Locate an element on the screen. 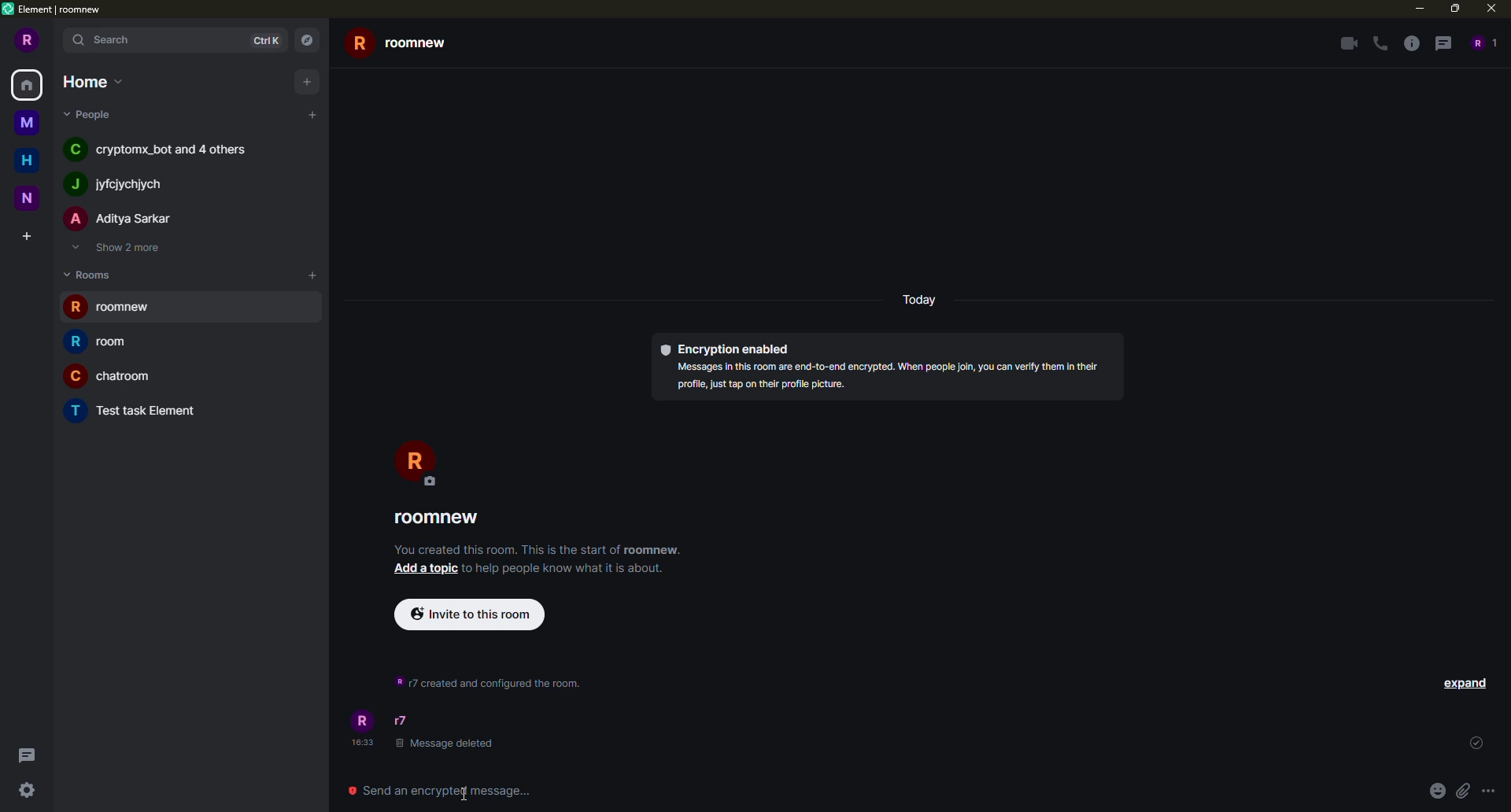 This screenshot has height=812, width=1511. video call is located at coordinates (1344, 43).